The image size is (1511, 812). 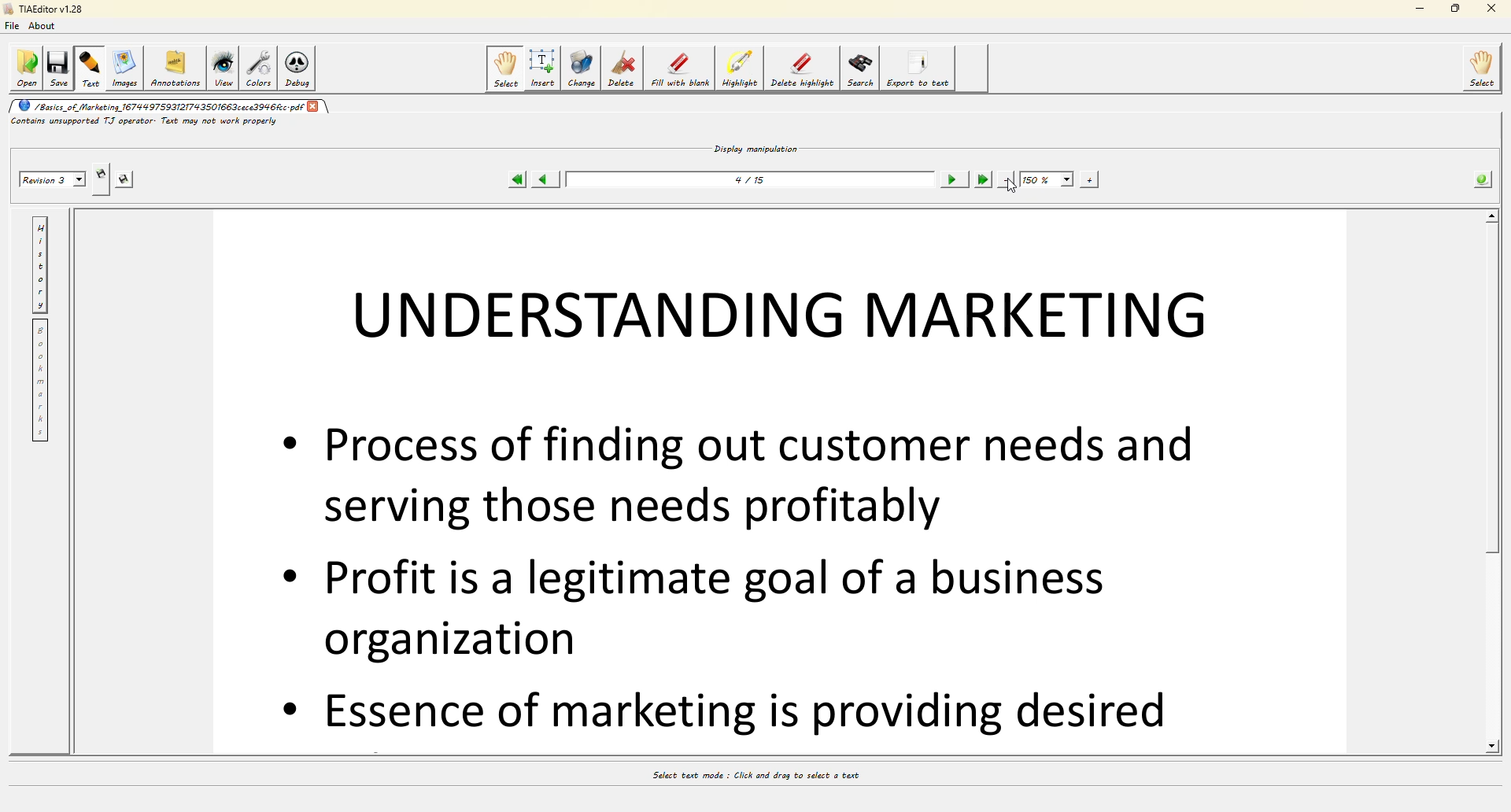 I want to click on close, so click(x=1494, y=8).